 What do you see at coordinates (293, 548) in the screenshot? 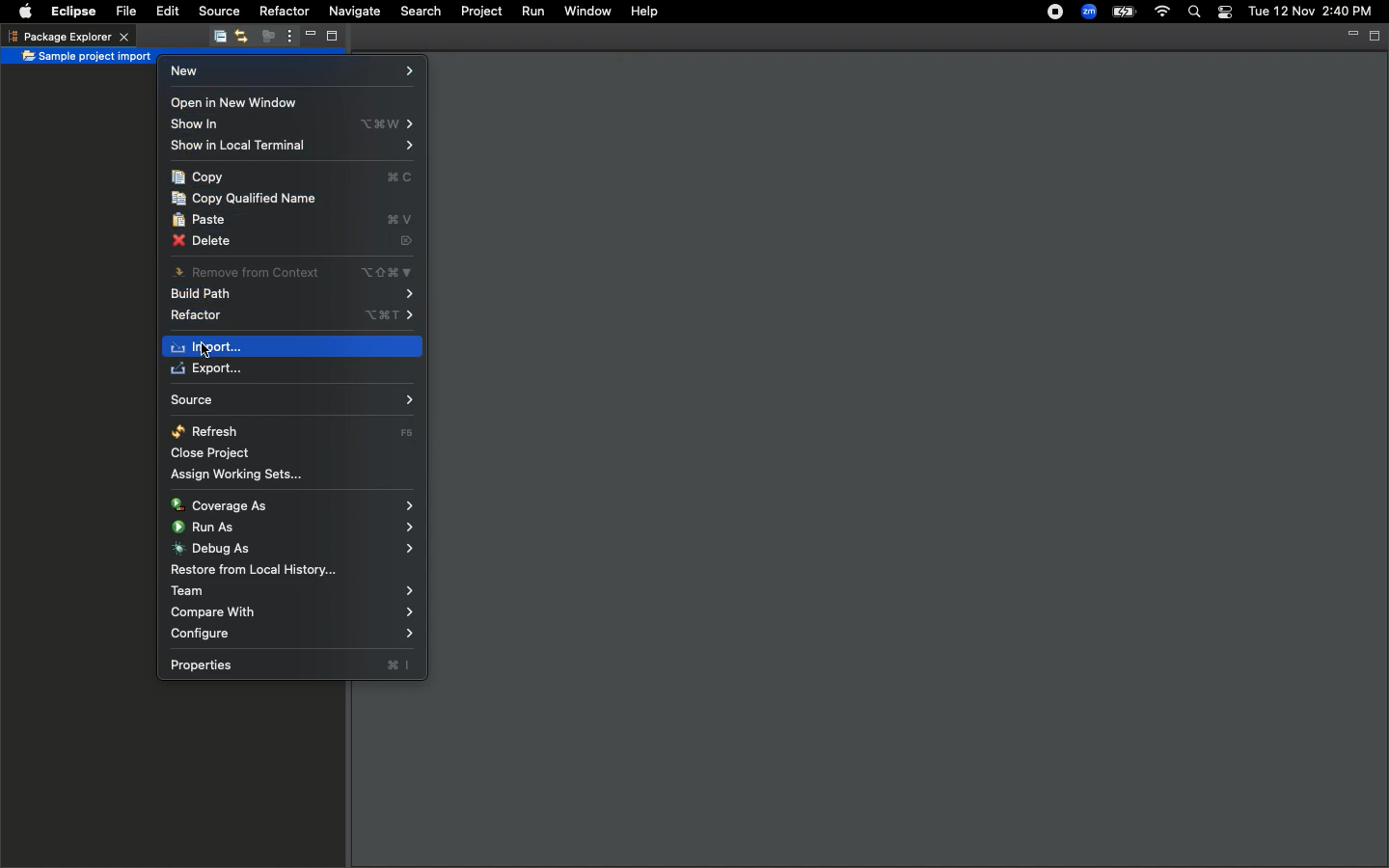
I see `Debug as` at bounding box center [293, 548].